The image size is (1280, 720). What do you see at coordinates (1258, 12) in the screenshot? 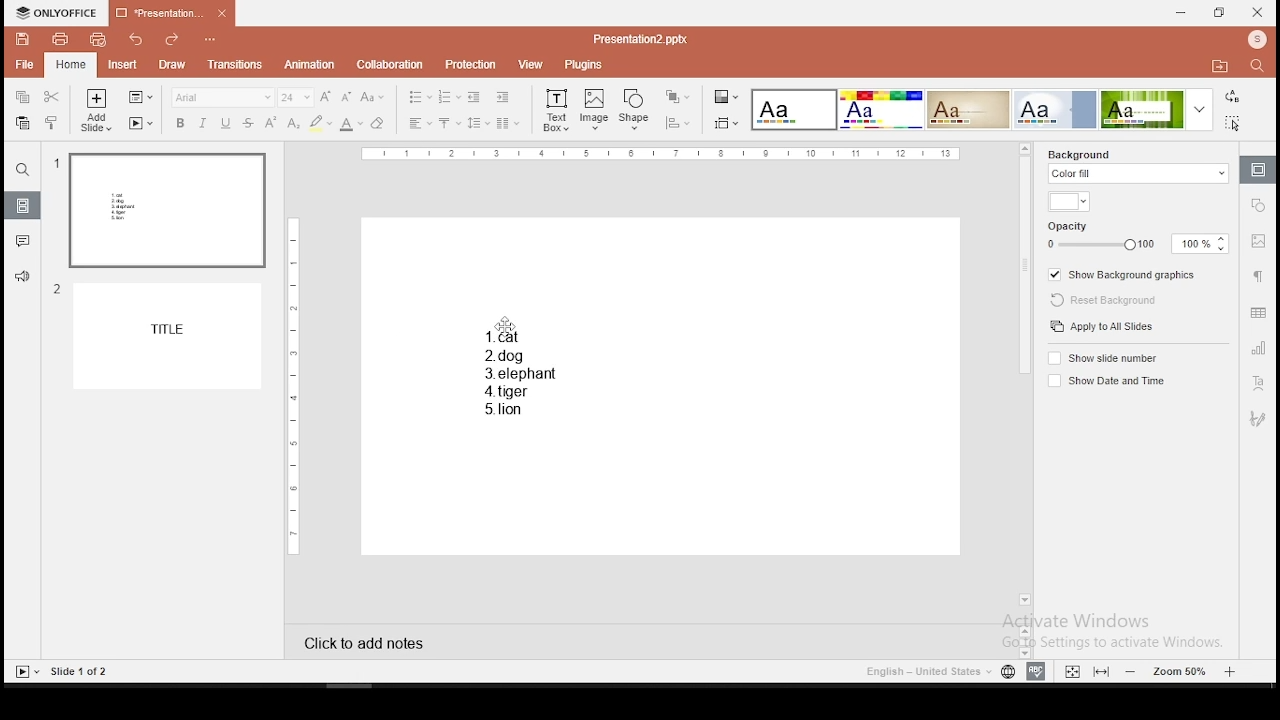
I see `close window` at bounding box center [1258, 12].